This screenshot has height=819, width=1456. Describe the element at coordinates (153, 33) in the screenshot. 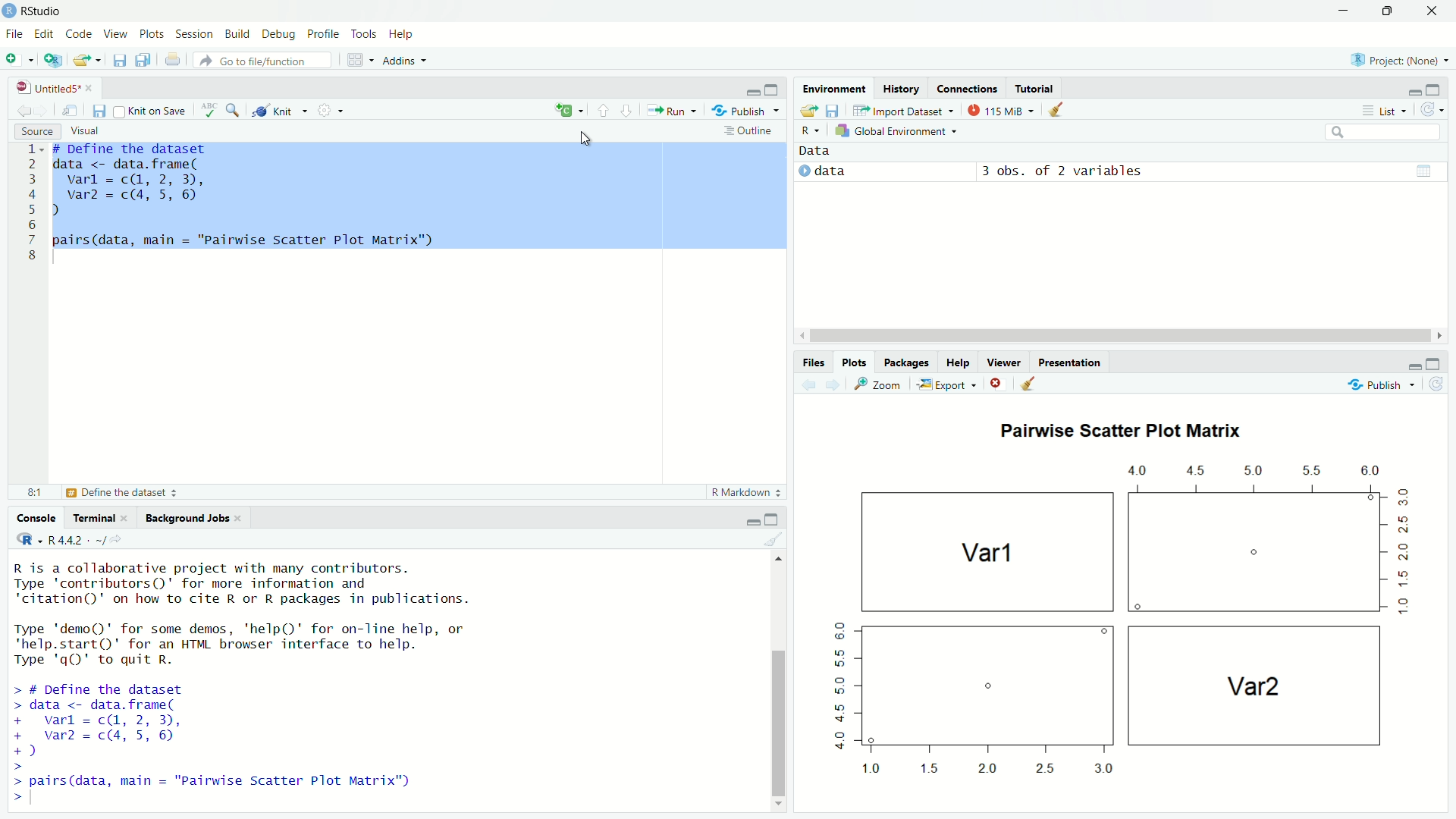

I see `Plots` at that location.